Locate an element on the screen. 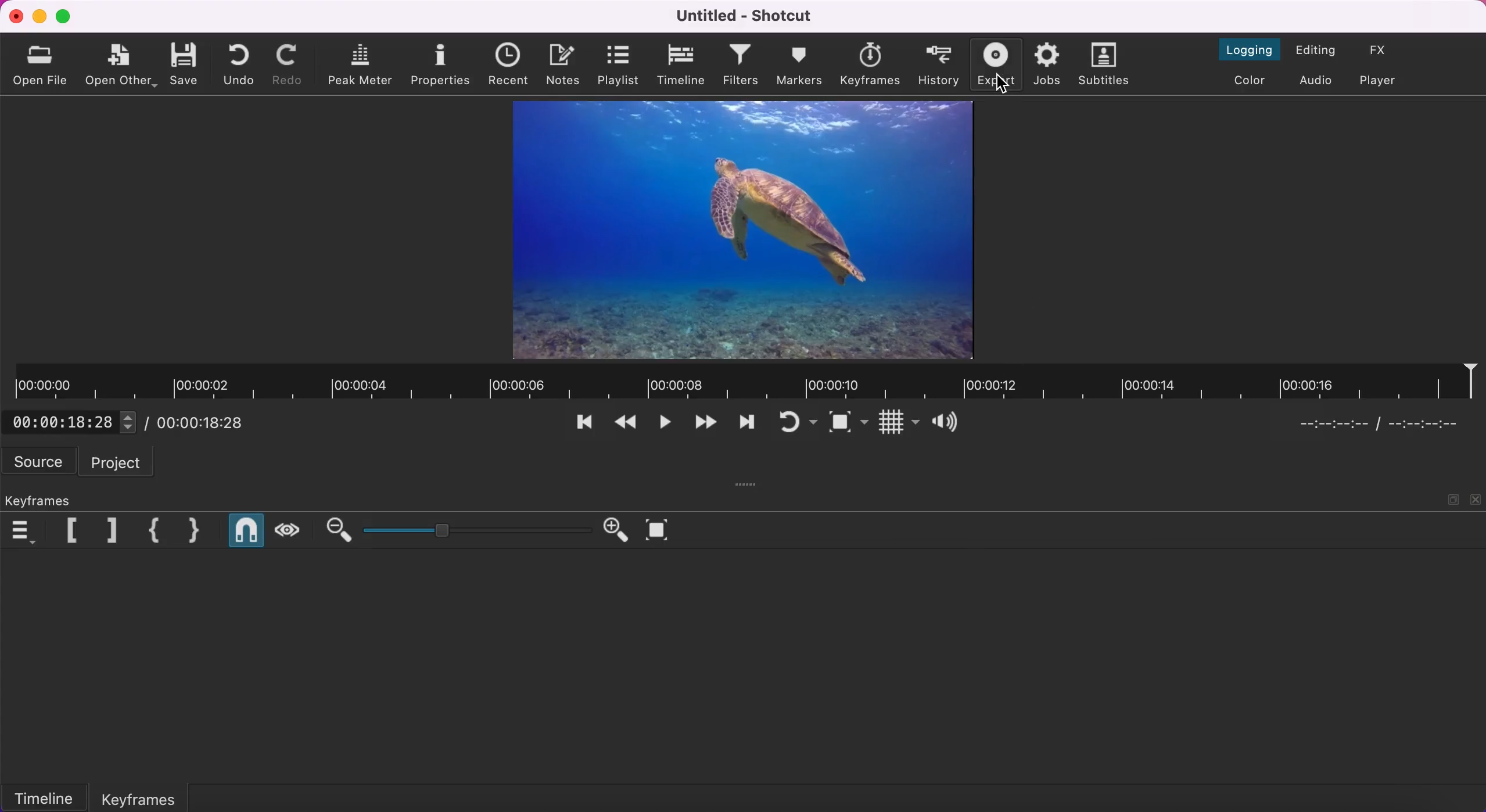 Image resolution: width=1486 pixels, height=812 pixels. export is located at coordinates (993, 59).